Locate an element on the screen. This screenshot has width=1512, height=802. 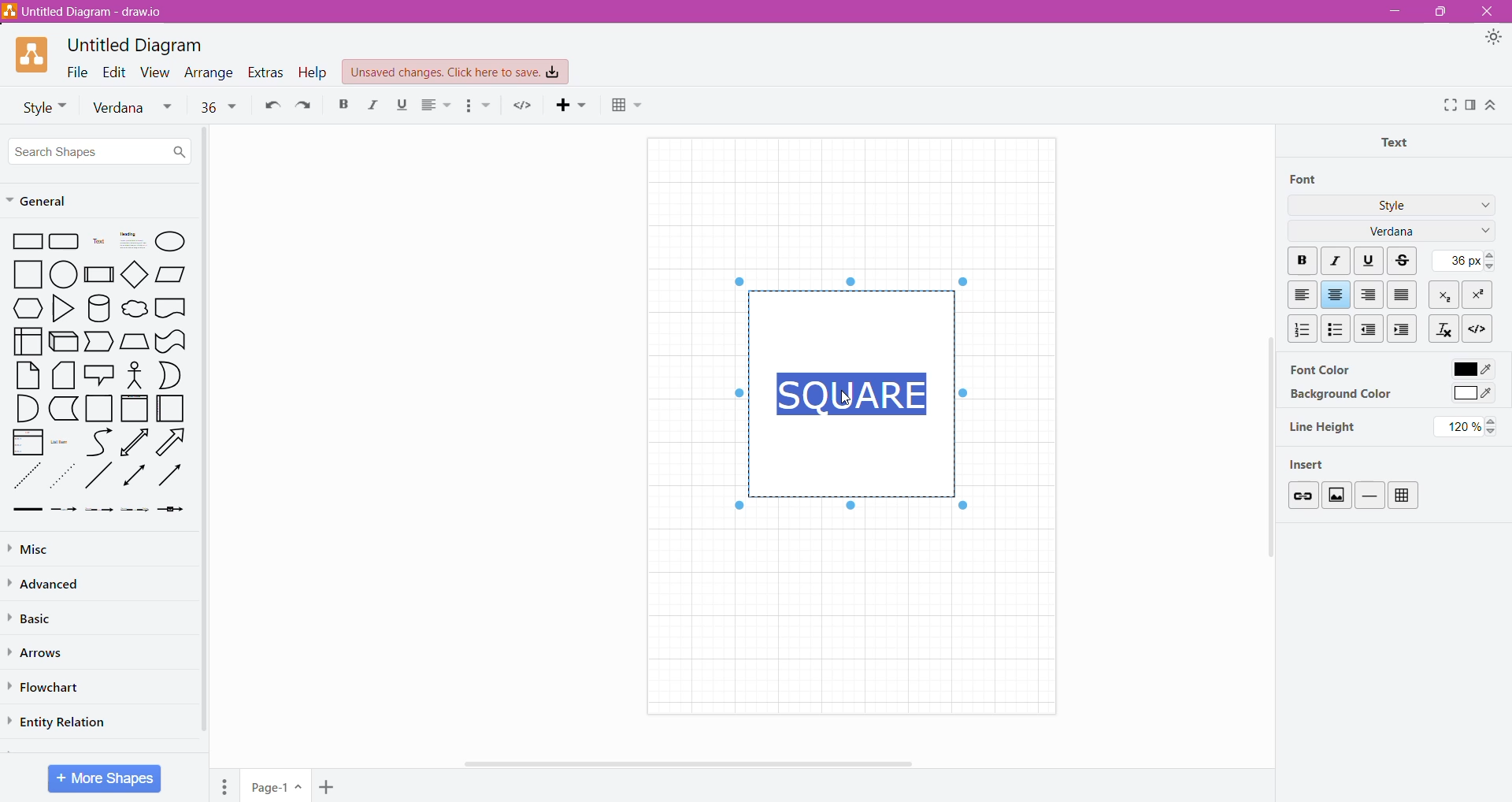
Arrow with a Box is located at coordinates (170, 509).